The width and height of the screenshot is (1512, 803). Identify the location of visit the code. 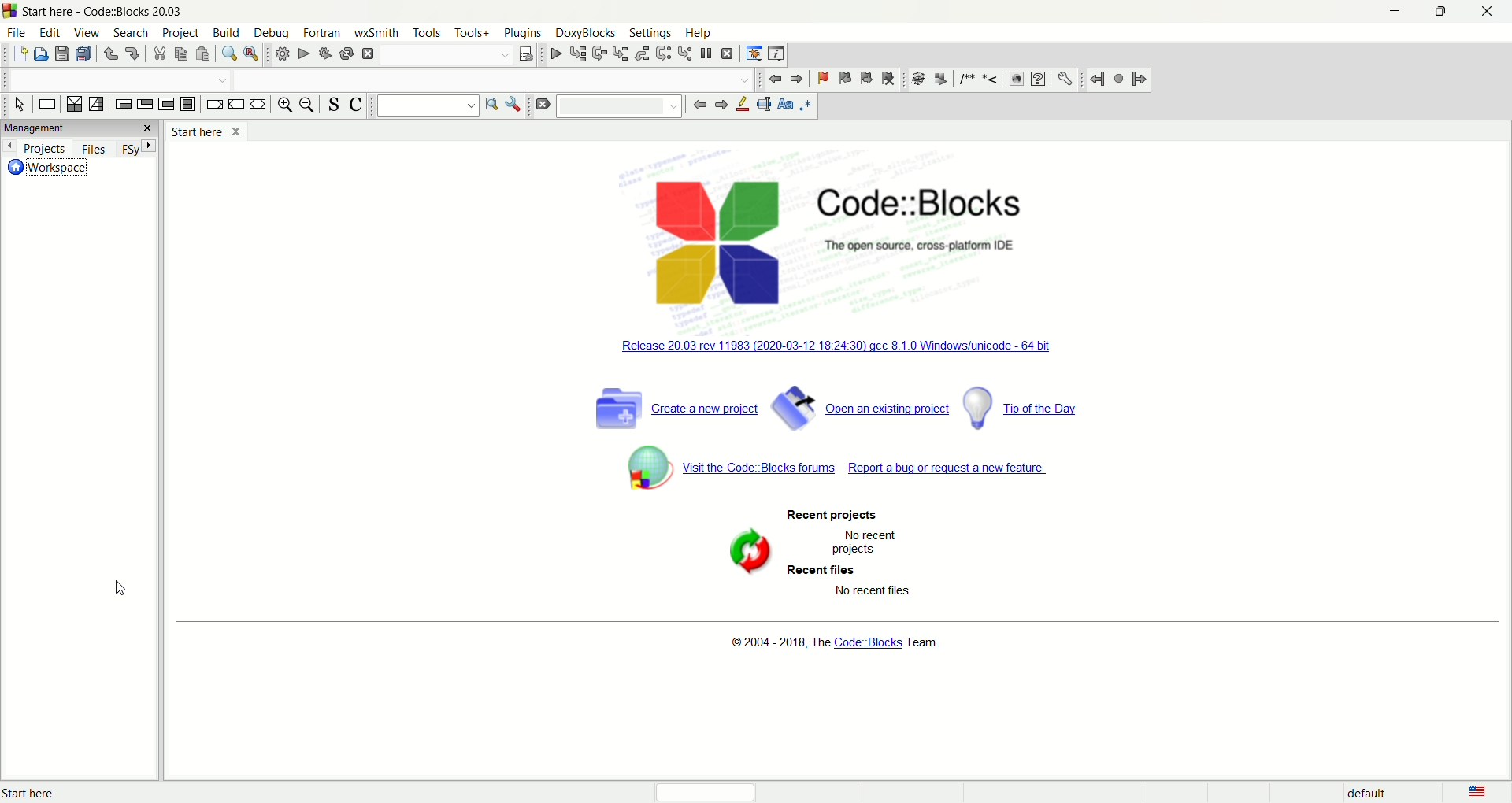
(758, 467).